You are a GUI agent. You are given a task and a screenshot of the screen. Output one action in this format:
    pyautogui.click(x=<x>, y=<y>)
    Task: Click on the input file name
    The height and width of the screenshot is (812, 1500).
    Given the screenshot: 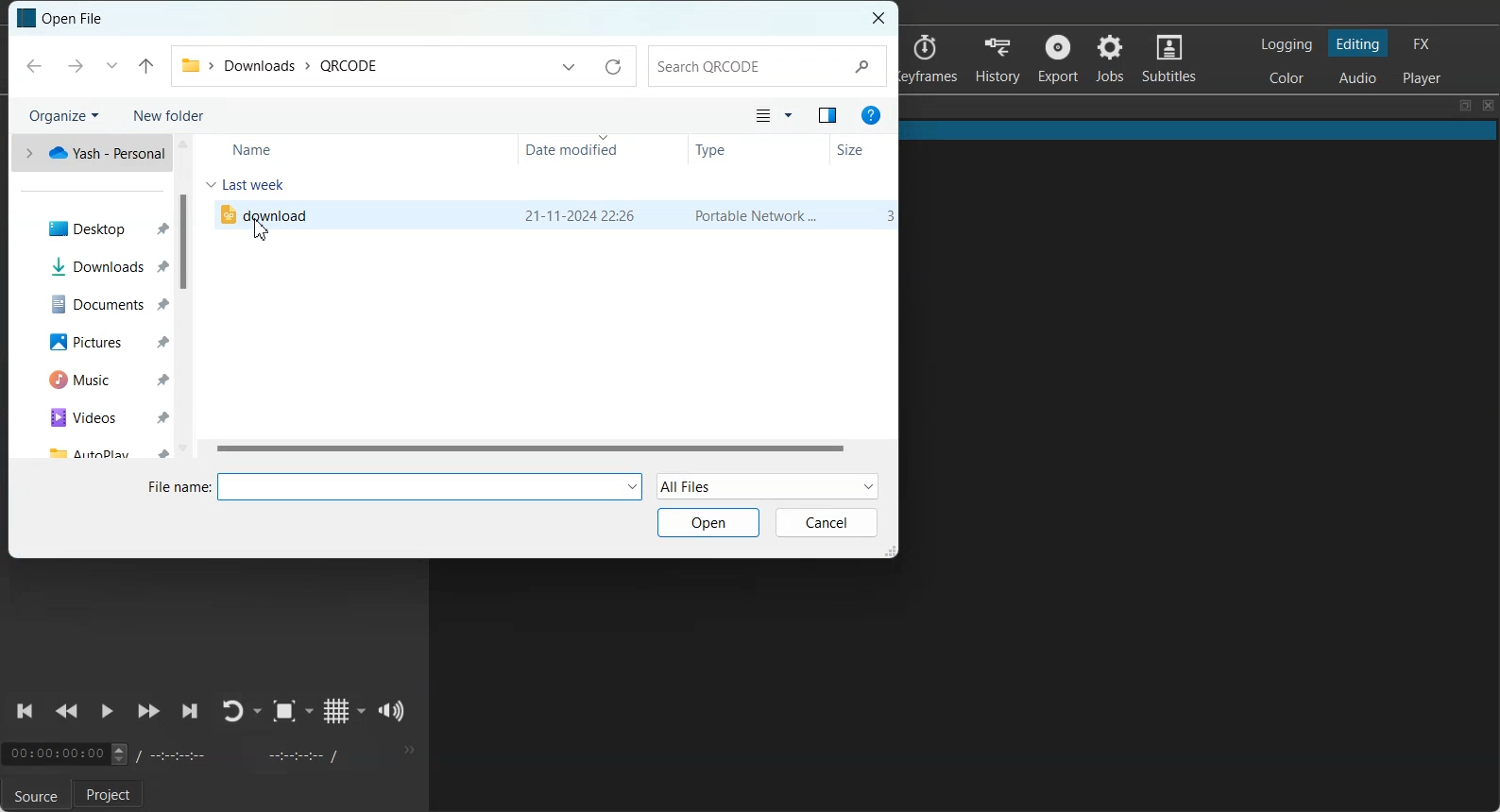 What is the action you would take?
    pyautogui.click(x=435, y=487)
    